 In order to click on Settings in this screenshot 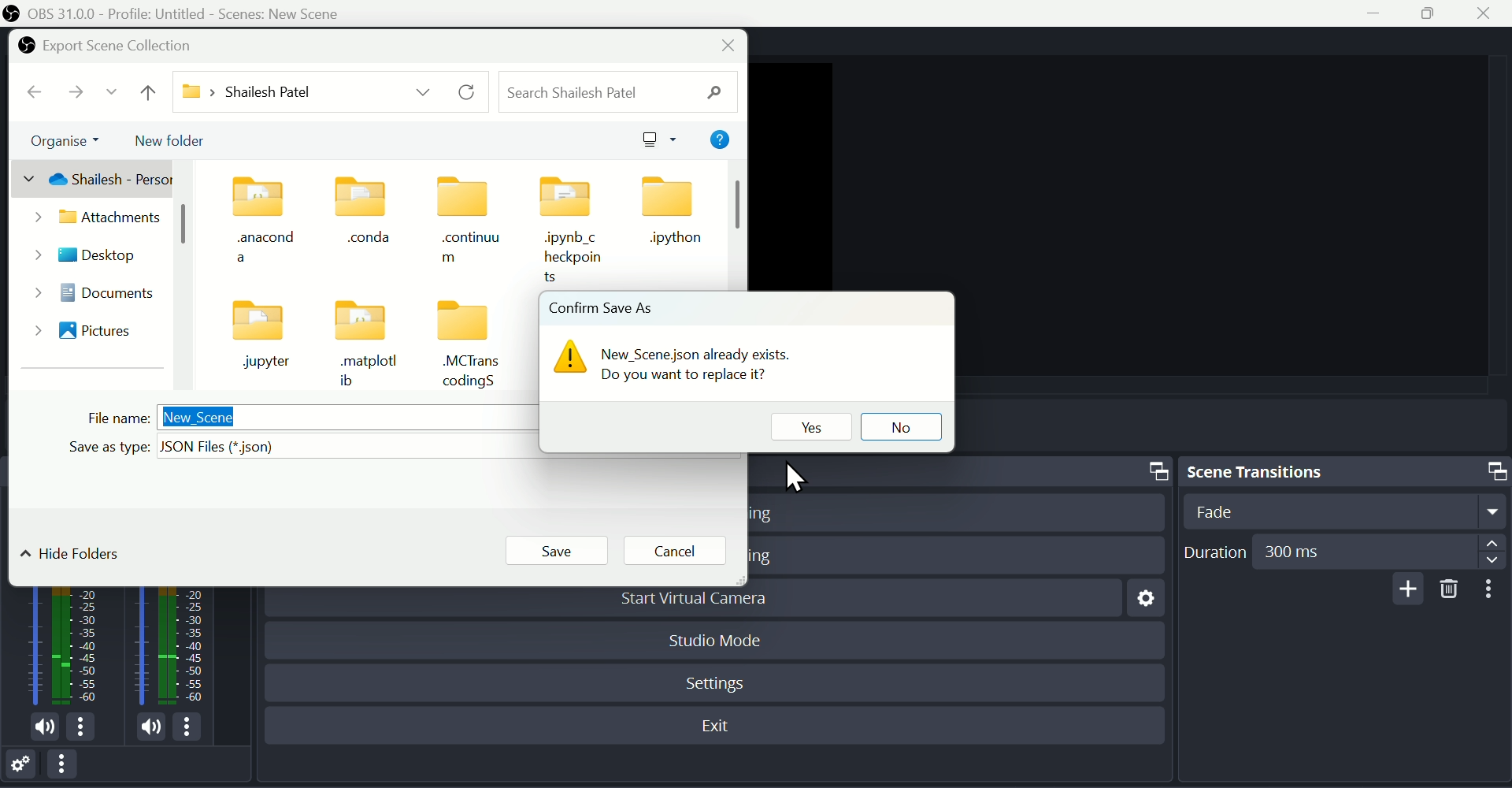, I will do `click(719, 680)`.